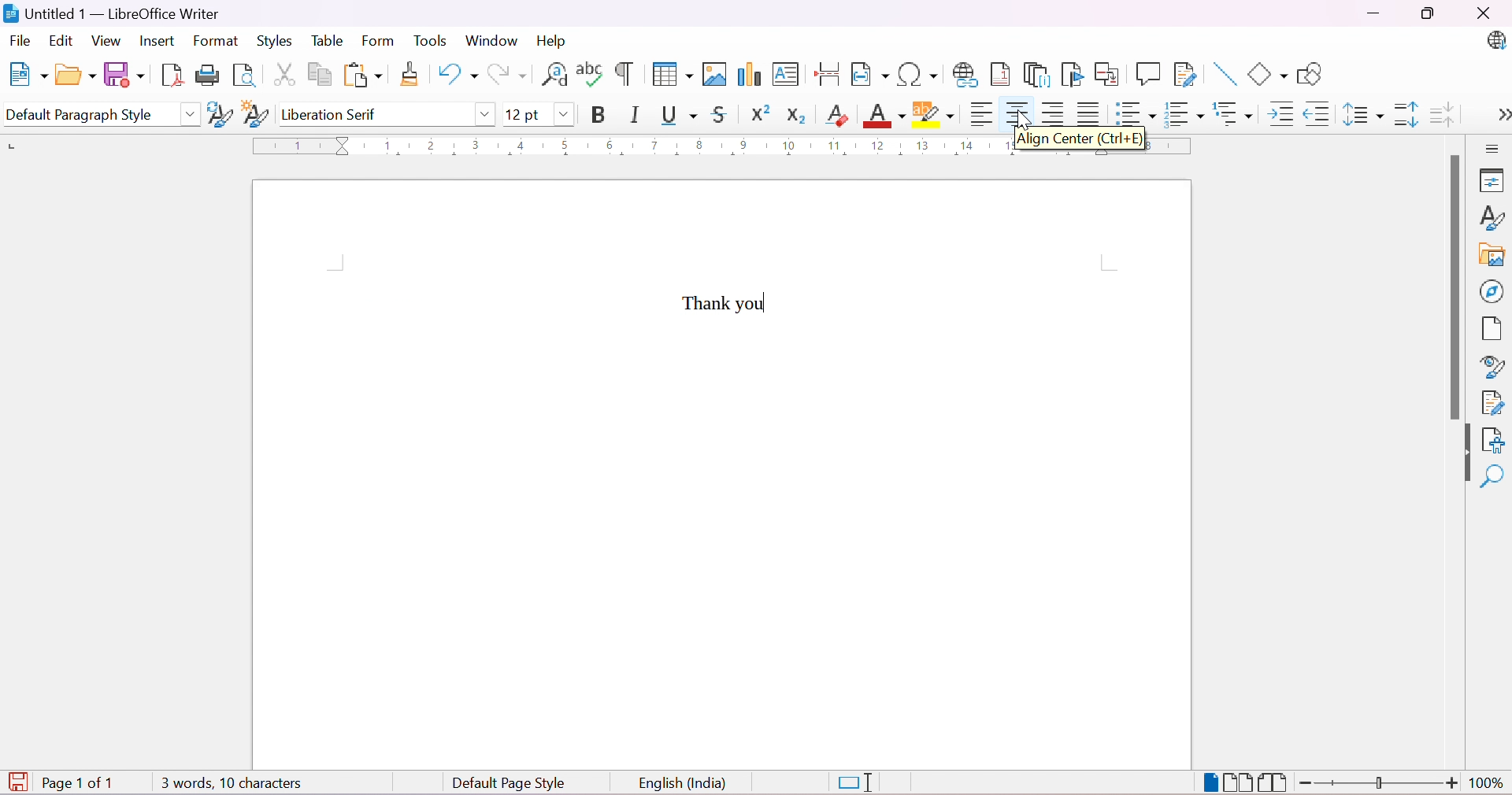 The image size is (1512, 795). What do you see at coordinates (409, 75) in the screenshot?
I see `Clone Formatting` at bounding box center [409, 75].